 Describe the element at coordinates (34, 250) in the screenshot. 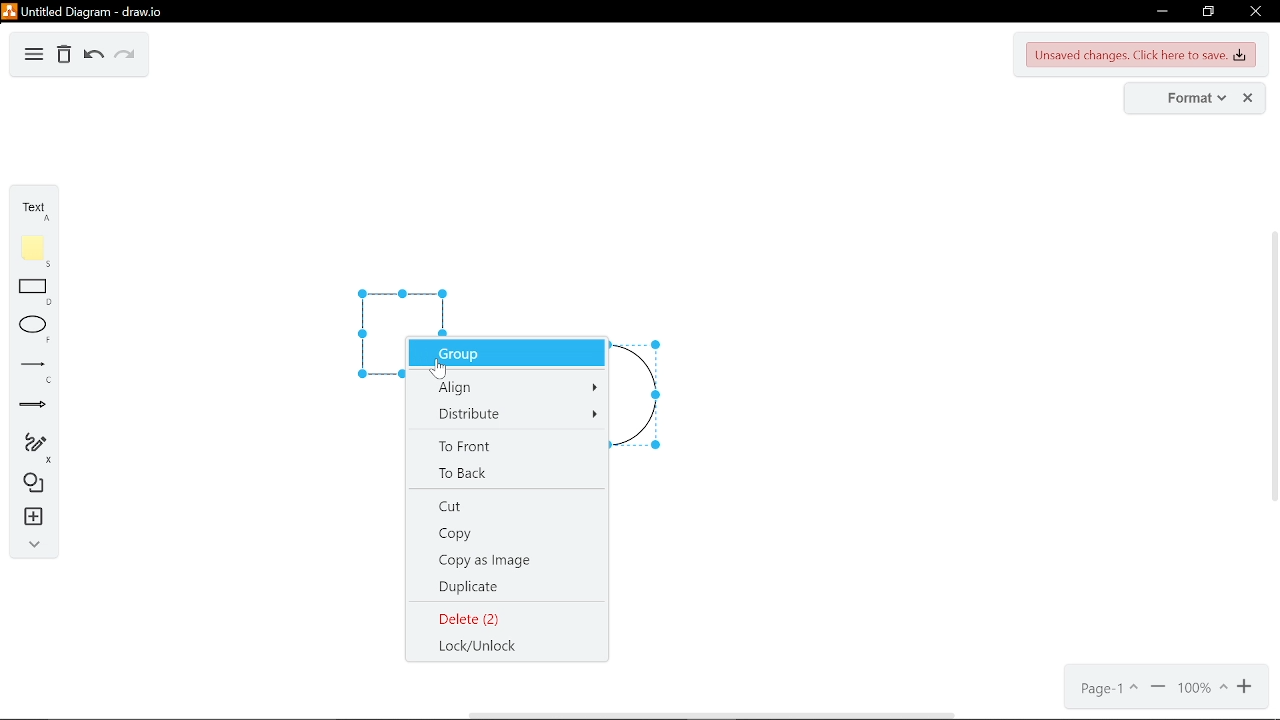

I see `note` at that location.